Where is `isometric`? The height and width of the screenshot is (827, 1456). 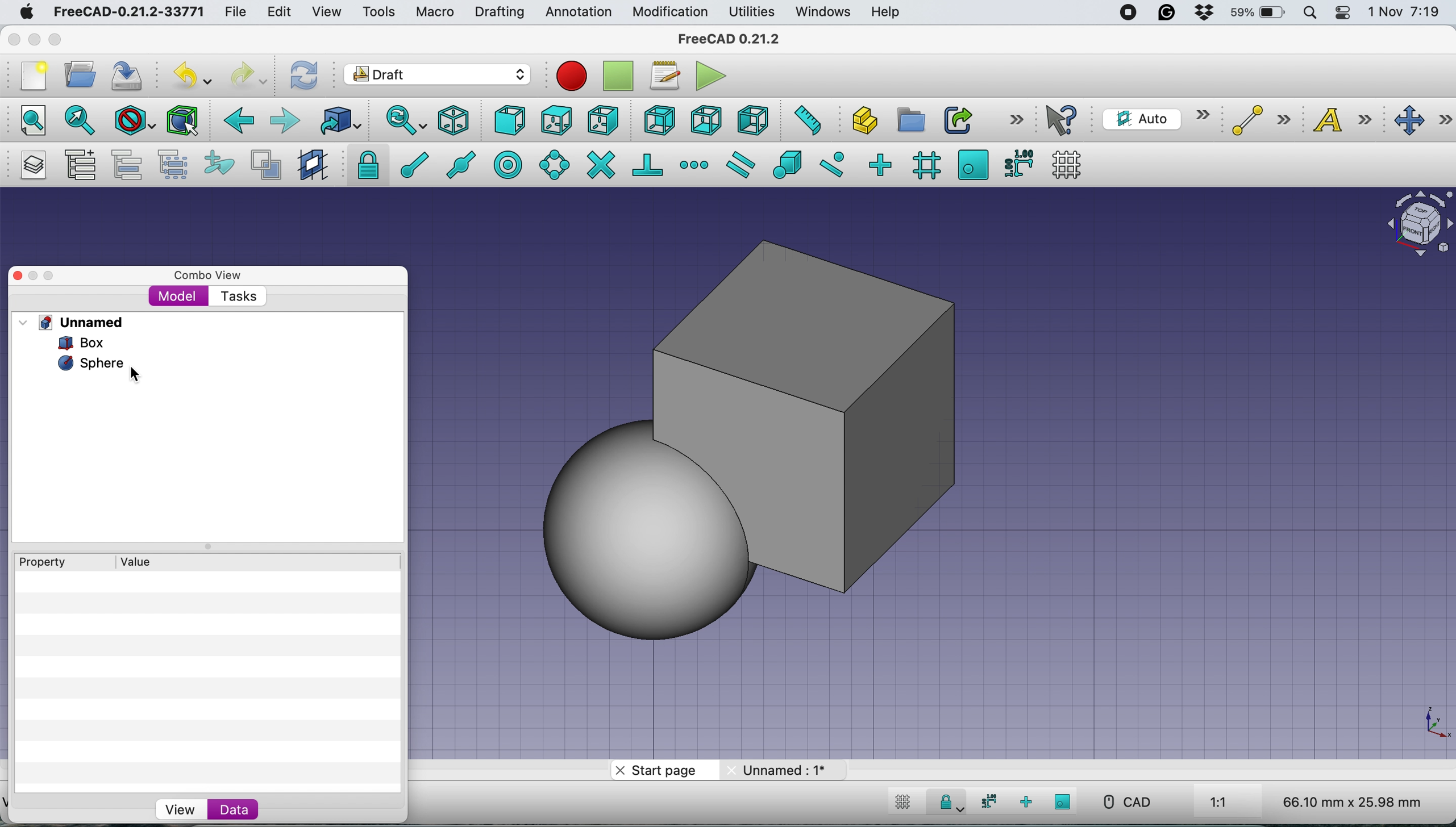 isometric is located at coordinates (458, 120).